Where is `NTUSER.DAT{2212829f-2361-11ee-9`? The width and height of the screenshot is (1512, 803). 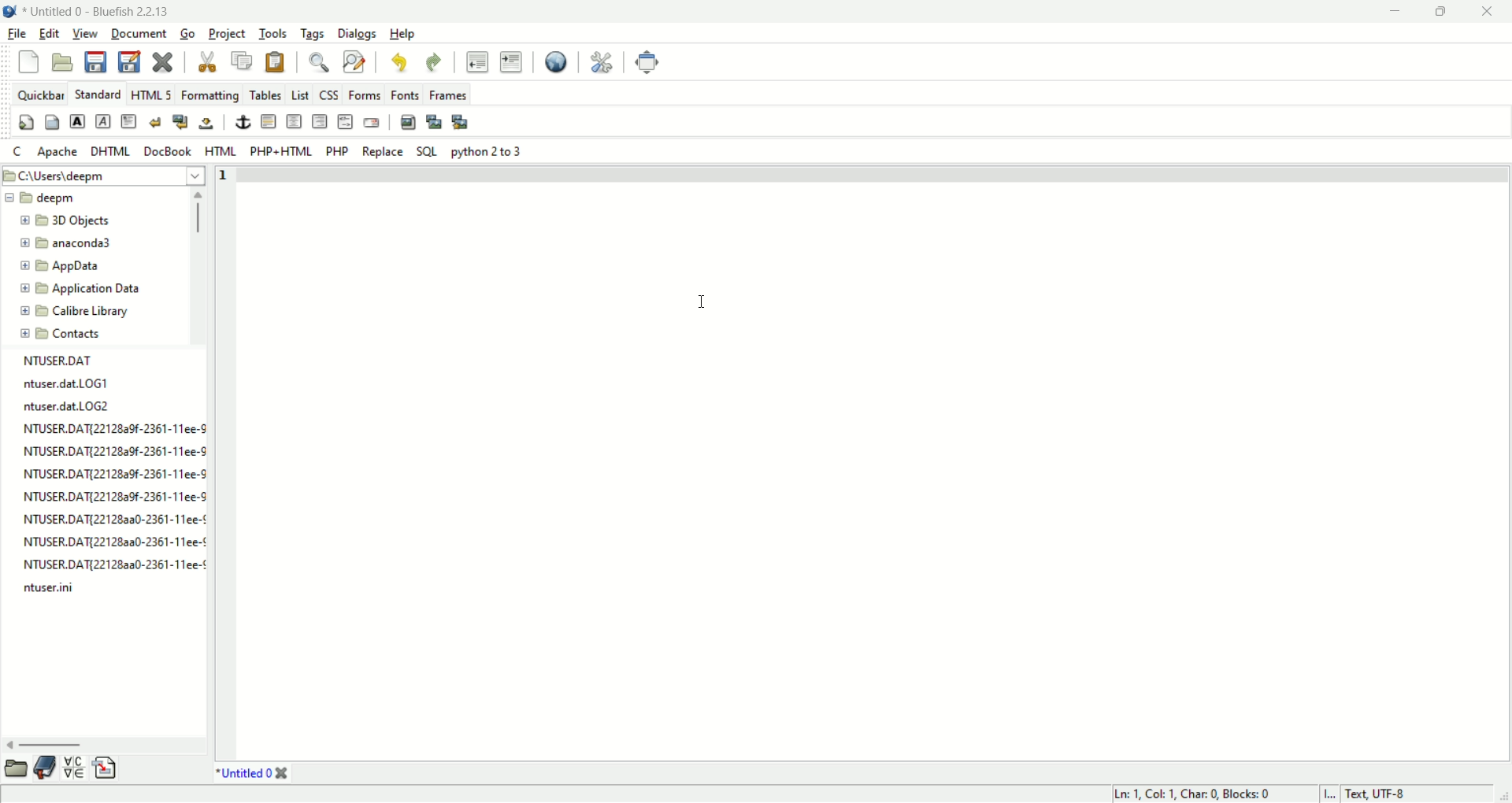 NTUSER.DAT{2212829f-2361-11ee-9 is located at coordinates (113, 451).